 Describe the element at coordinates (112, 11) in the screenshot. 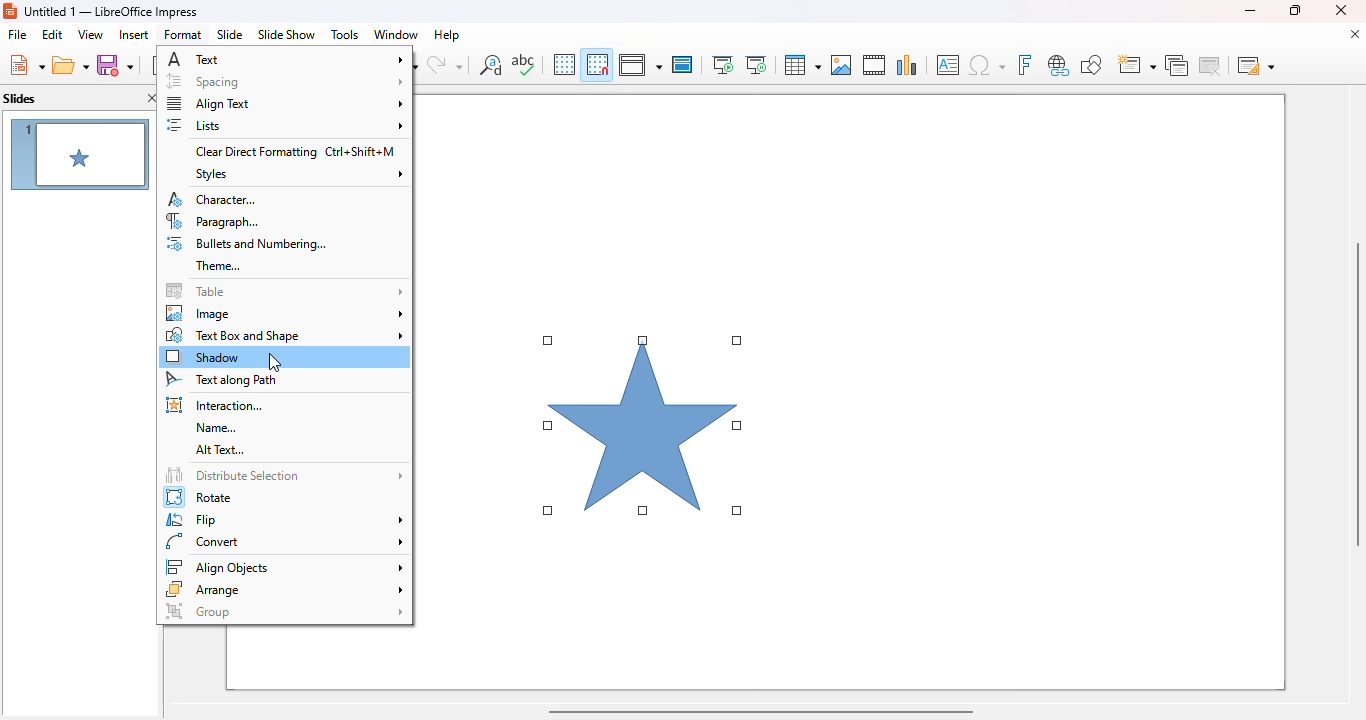

I see `title` at that location.